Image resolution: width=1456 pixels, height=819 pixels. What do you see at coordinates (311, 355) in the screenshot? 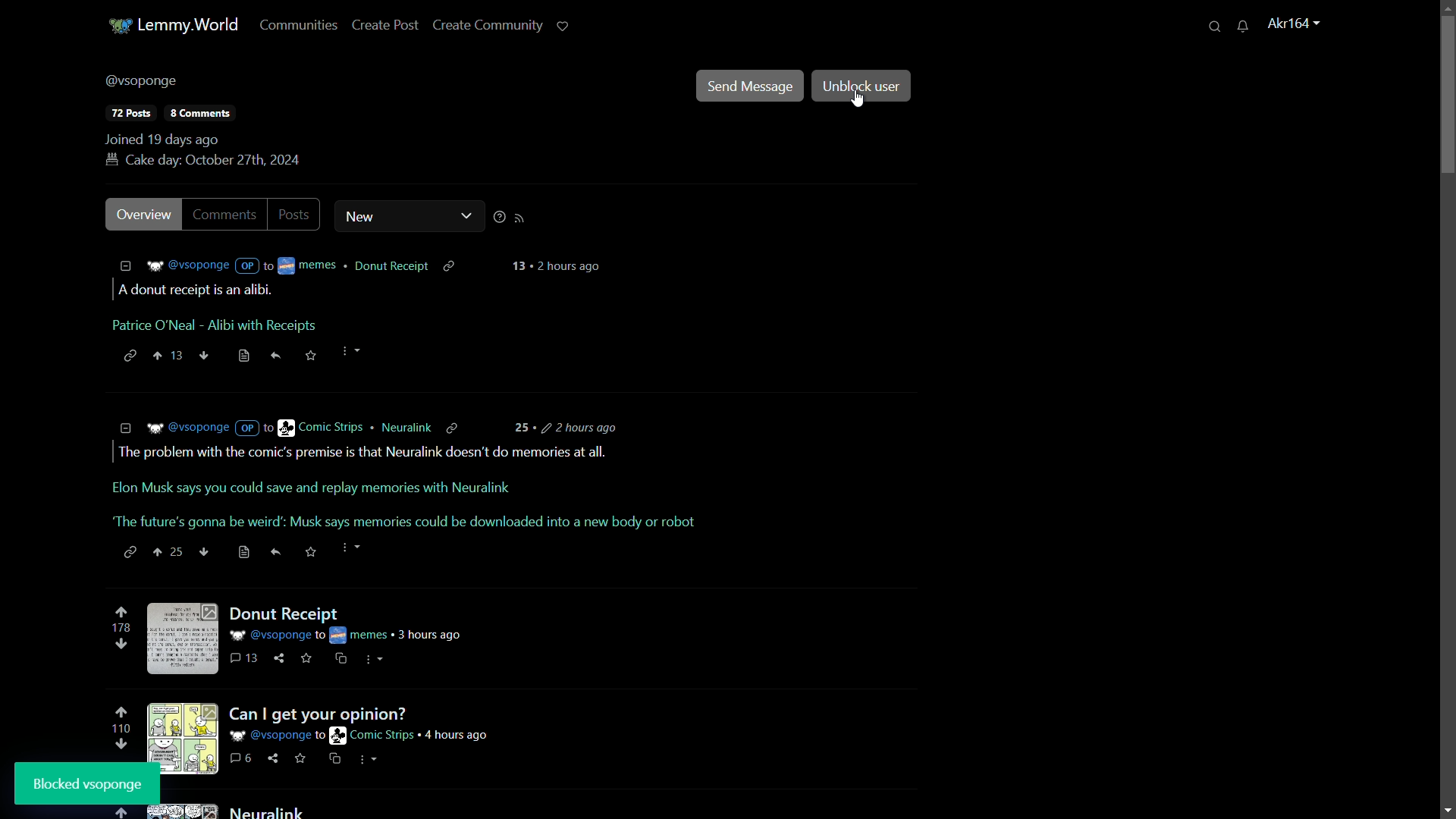
I see `save` at bounding box center [311, 355].